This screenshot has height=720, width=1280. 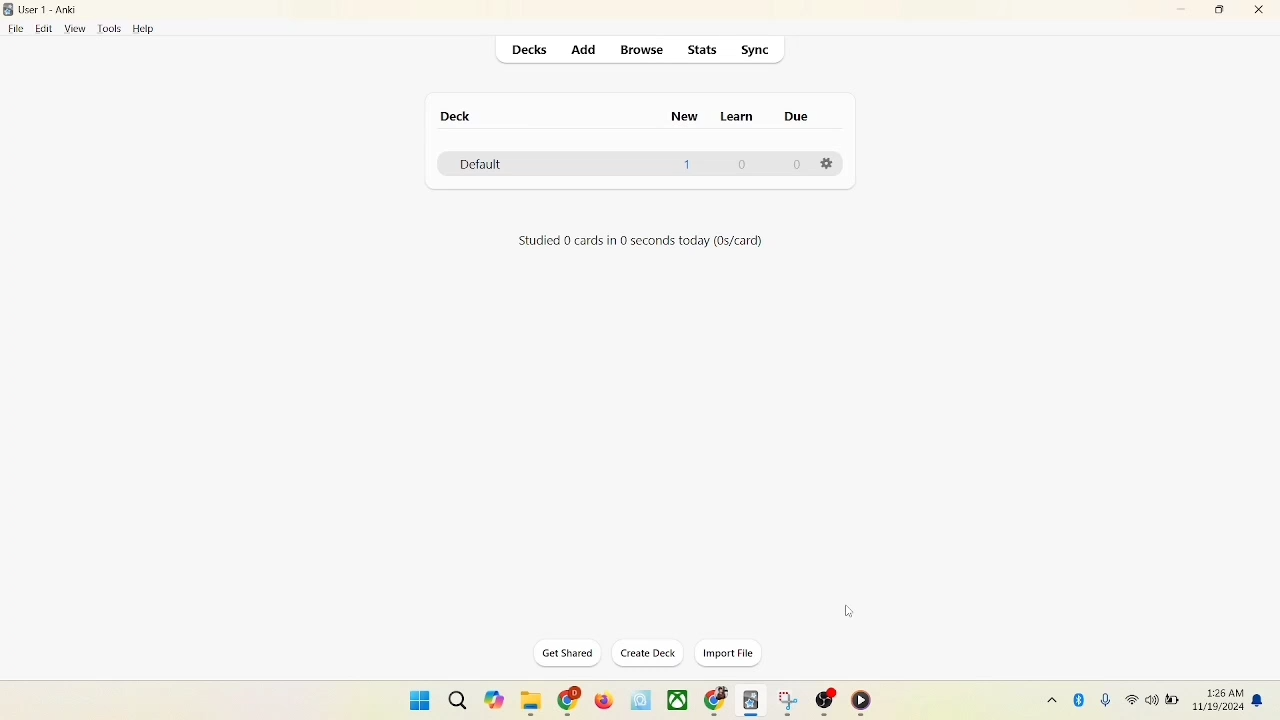 I want to click on battery, so click(x=1172, y=702).